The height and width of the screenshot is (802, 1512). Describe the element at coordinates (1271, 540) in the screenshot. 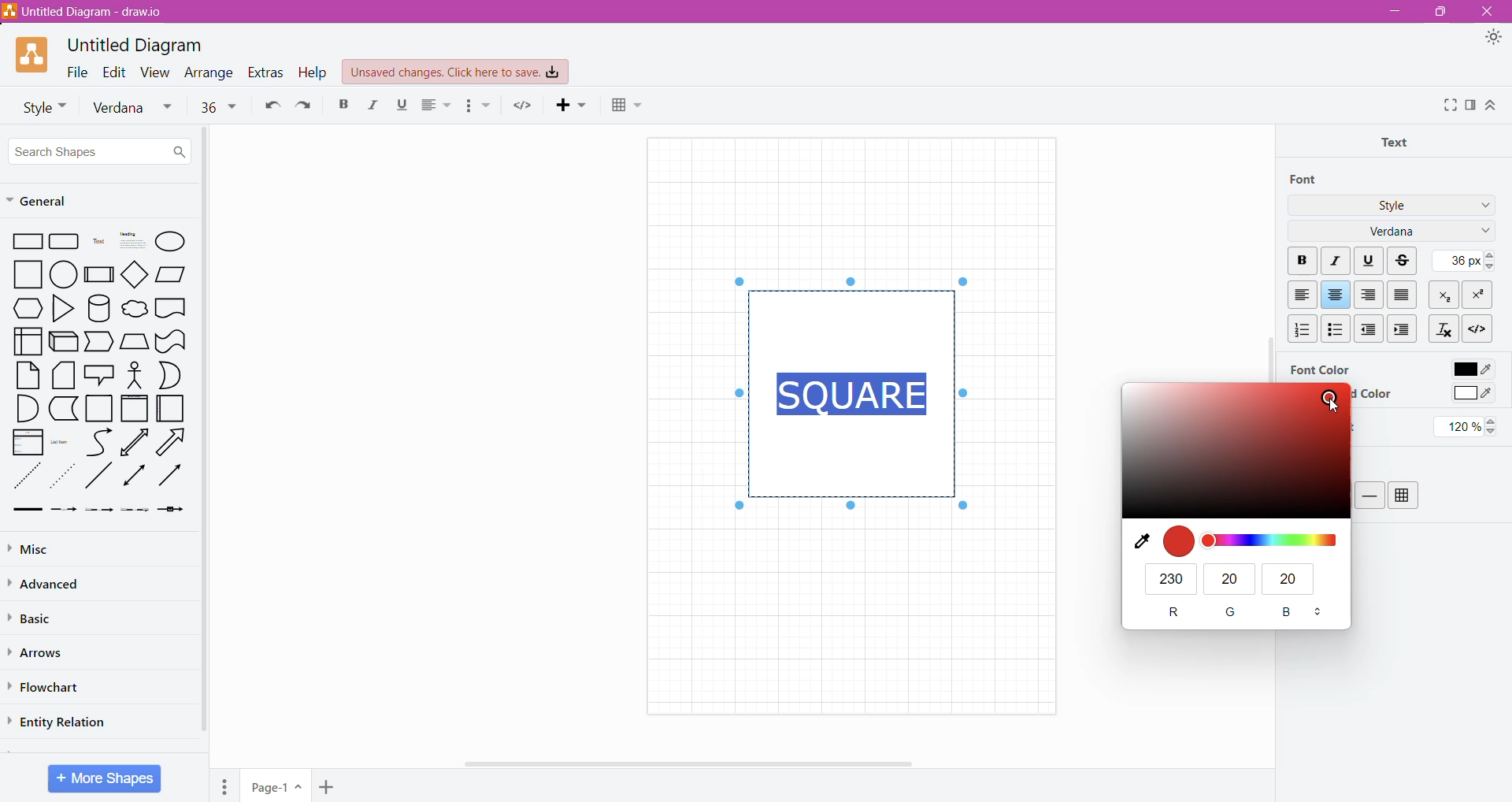

I see `variation scale` at that location.